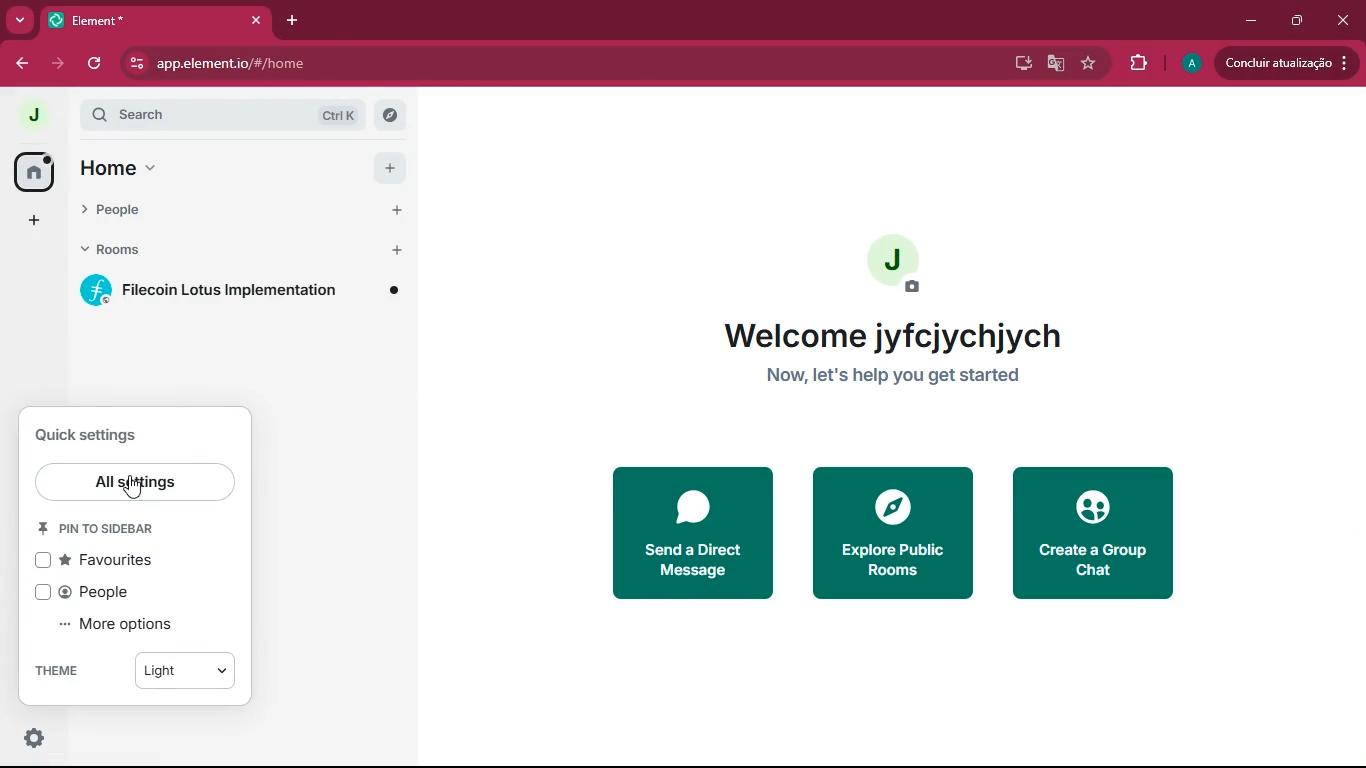  Describe the element at coordinates (18, 64) in the screenshot. I see `back` at that location.